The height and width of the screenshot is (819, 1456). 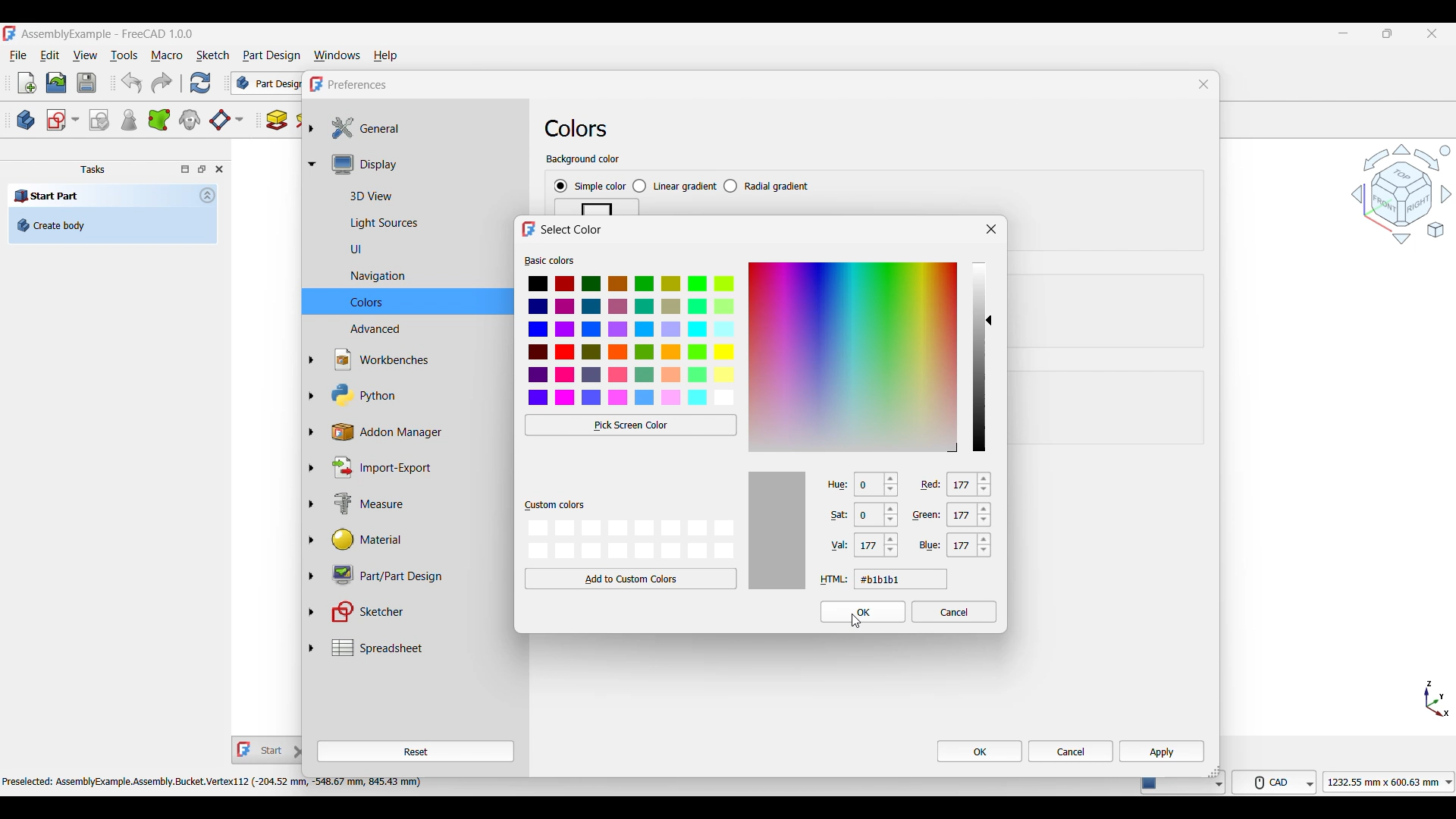 I want to click on 255, so click(x=877, y=547).